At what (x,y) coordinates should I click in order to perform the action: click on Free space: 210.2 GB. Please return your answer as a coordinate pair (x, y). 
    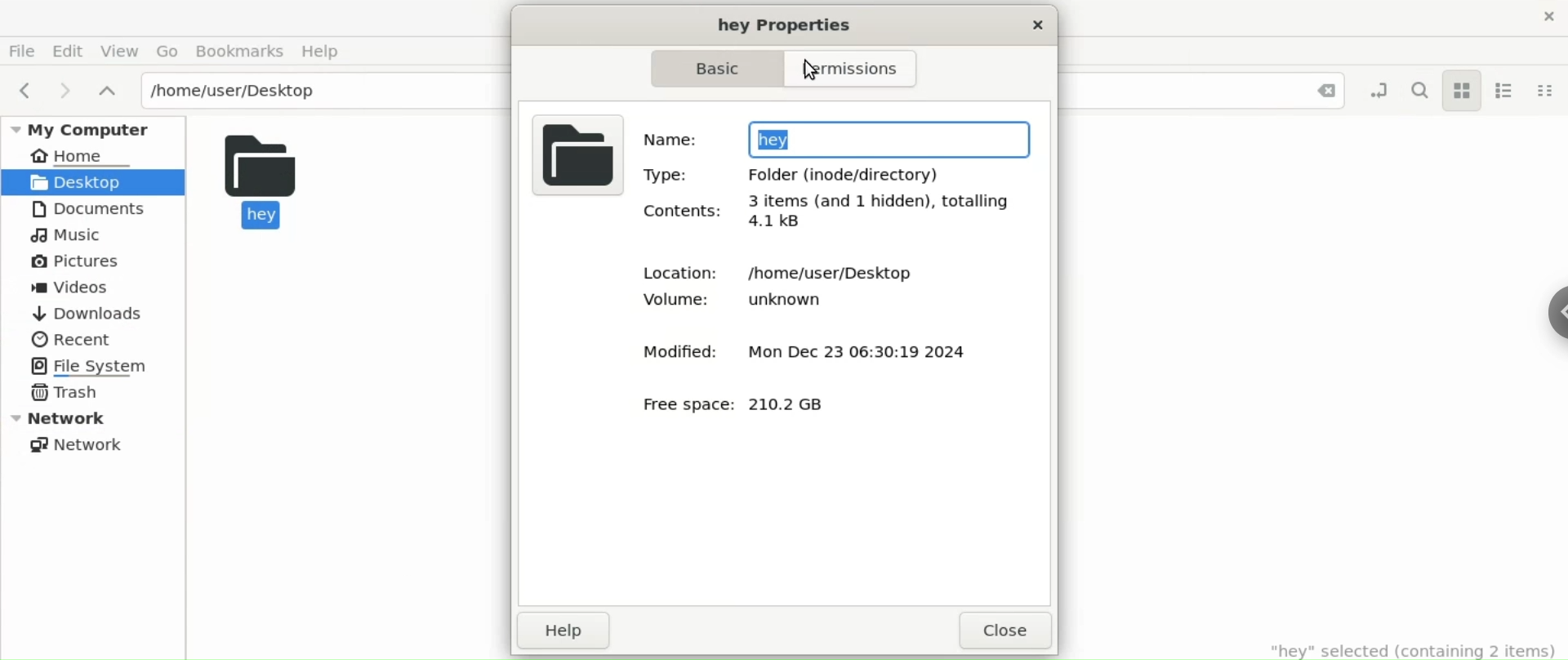
    Looking at the image, I should click on (745, 402).